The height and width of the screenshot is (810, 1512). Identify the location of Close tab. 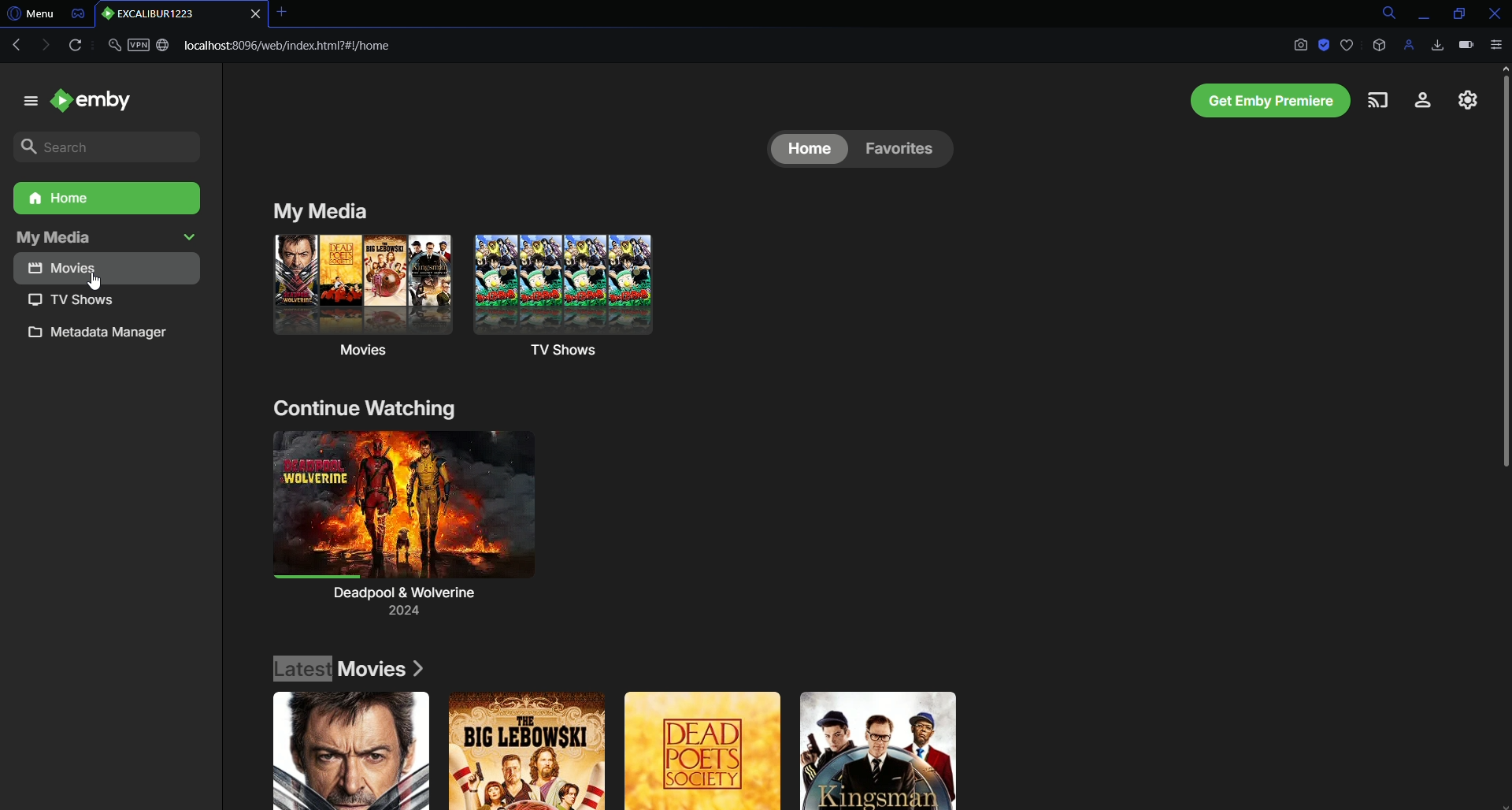
(282, 13).